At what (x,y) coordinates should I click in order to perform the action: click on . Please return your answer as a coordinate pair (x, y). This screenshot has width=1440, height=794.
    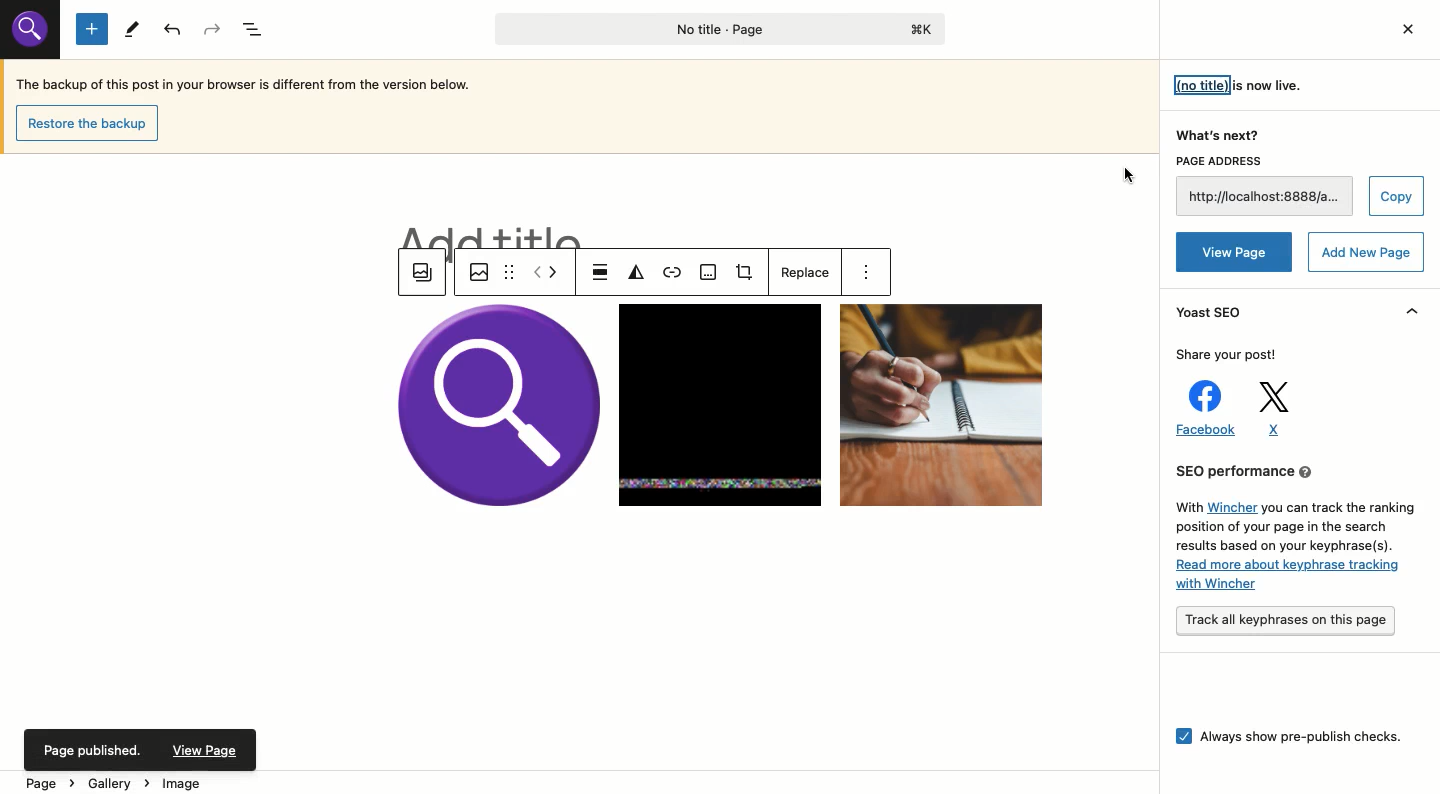
    Looking at the image, I should click on (34, 35).